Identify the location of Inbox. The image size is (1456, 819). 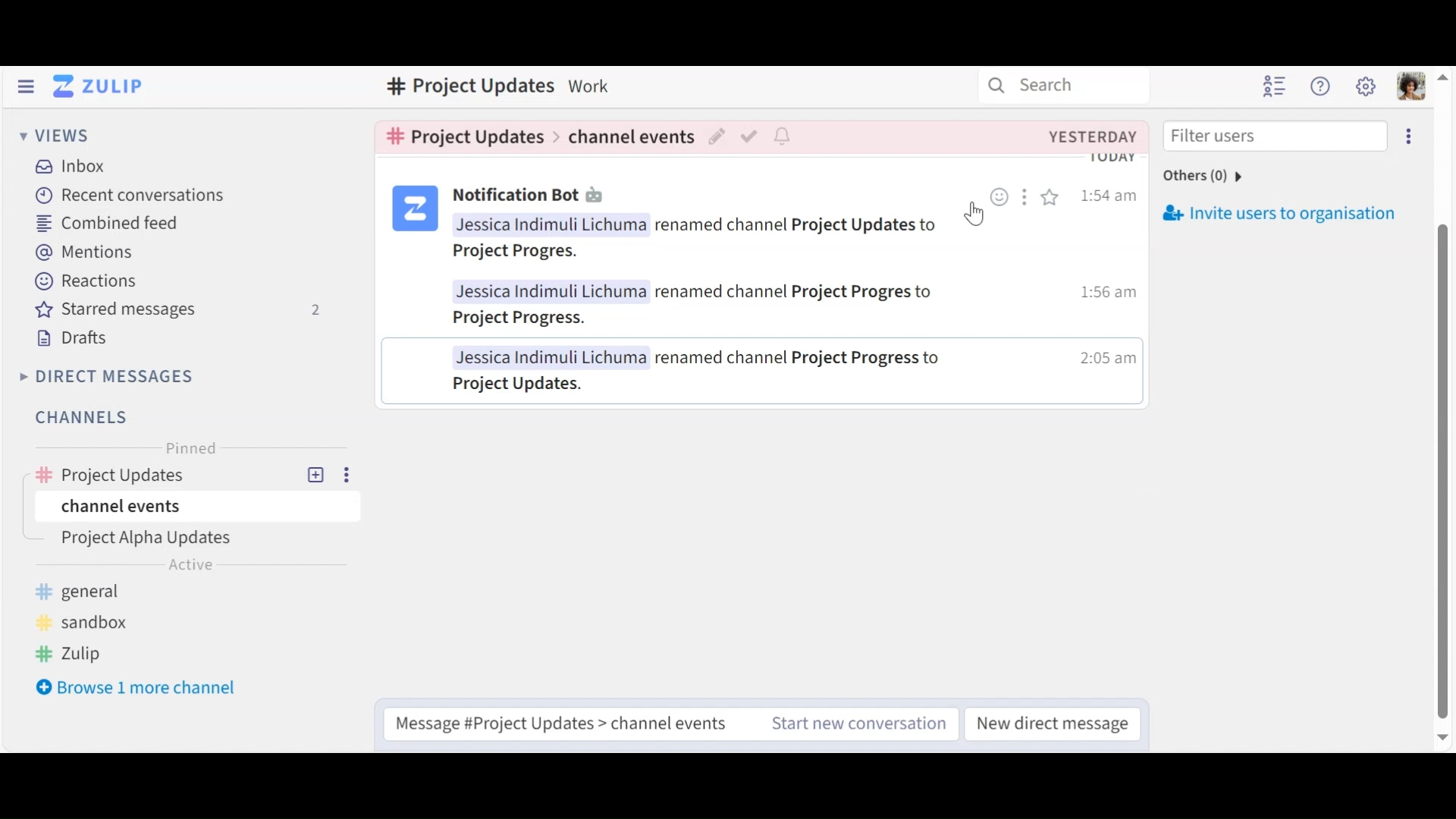
(76, 165).